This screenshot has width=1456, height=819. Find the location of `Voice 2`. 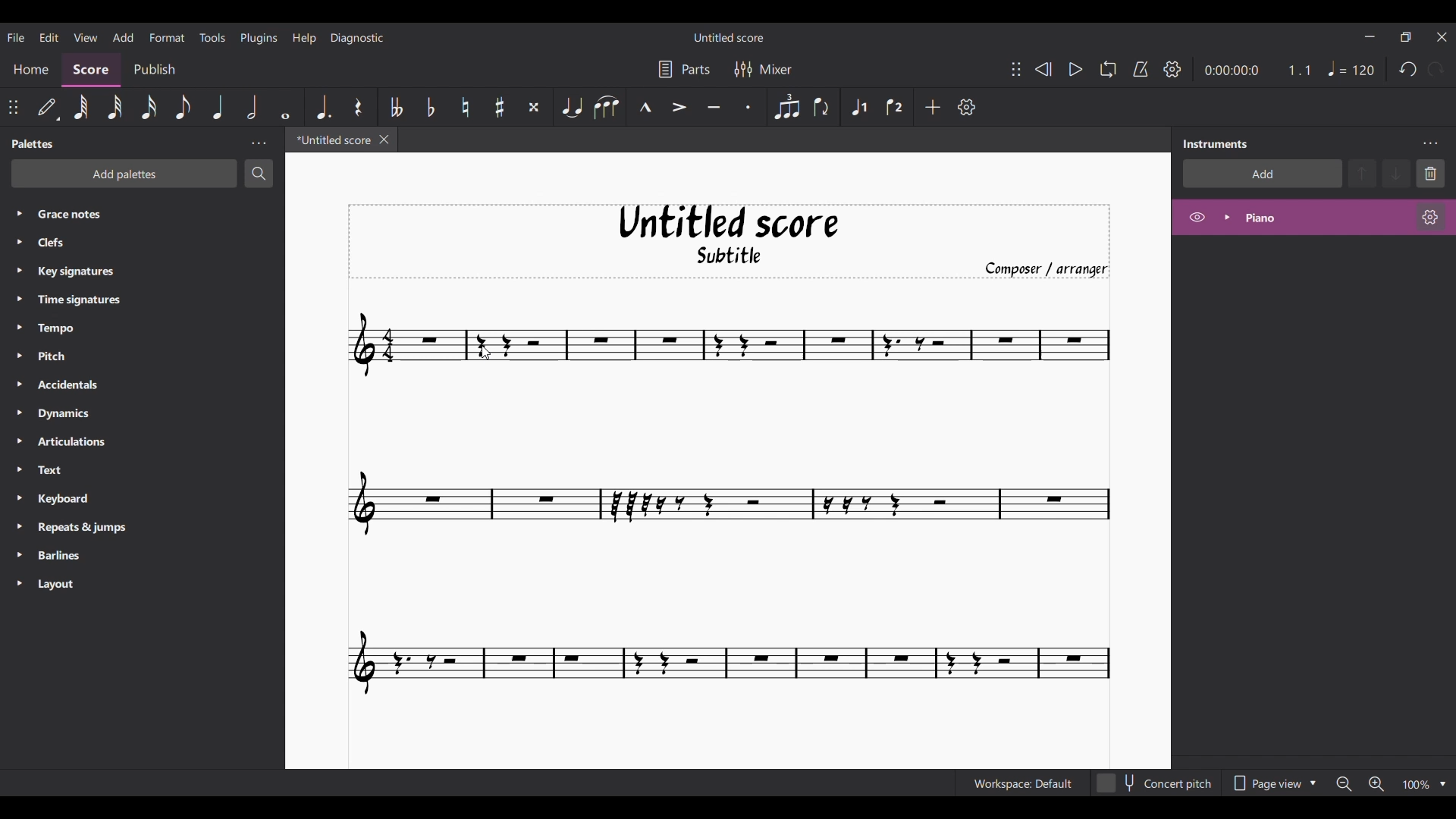

Voice 2 is located at coordinates (894, 107).